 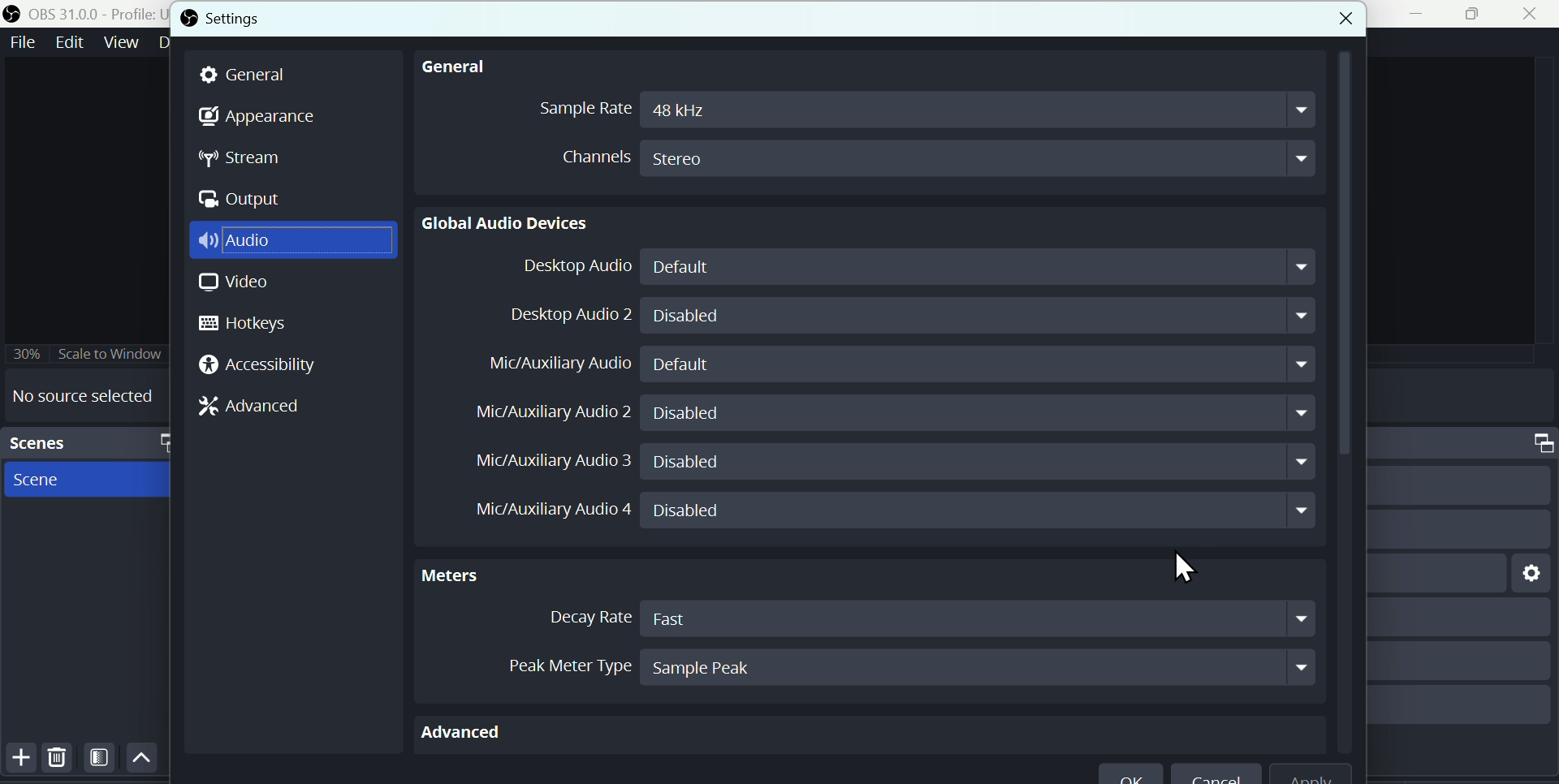 What do you see at coordinates (101, 760) in the screenshot?
I see `Filter` at bounding box center [101, 760].